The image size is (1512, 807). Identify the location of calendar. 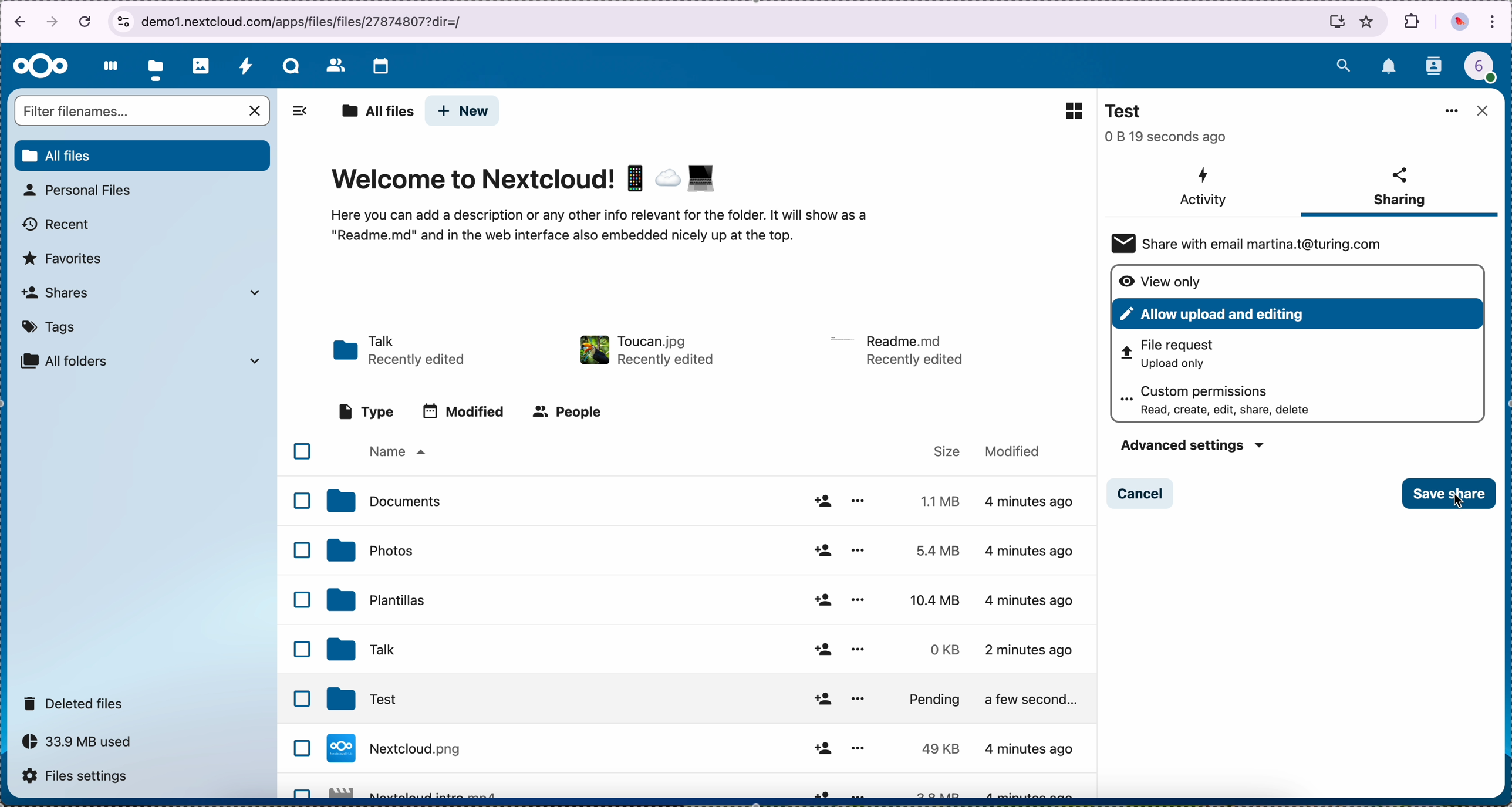
(380, 67).